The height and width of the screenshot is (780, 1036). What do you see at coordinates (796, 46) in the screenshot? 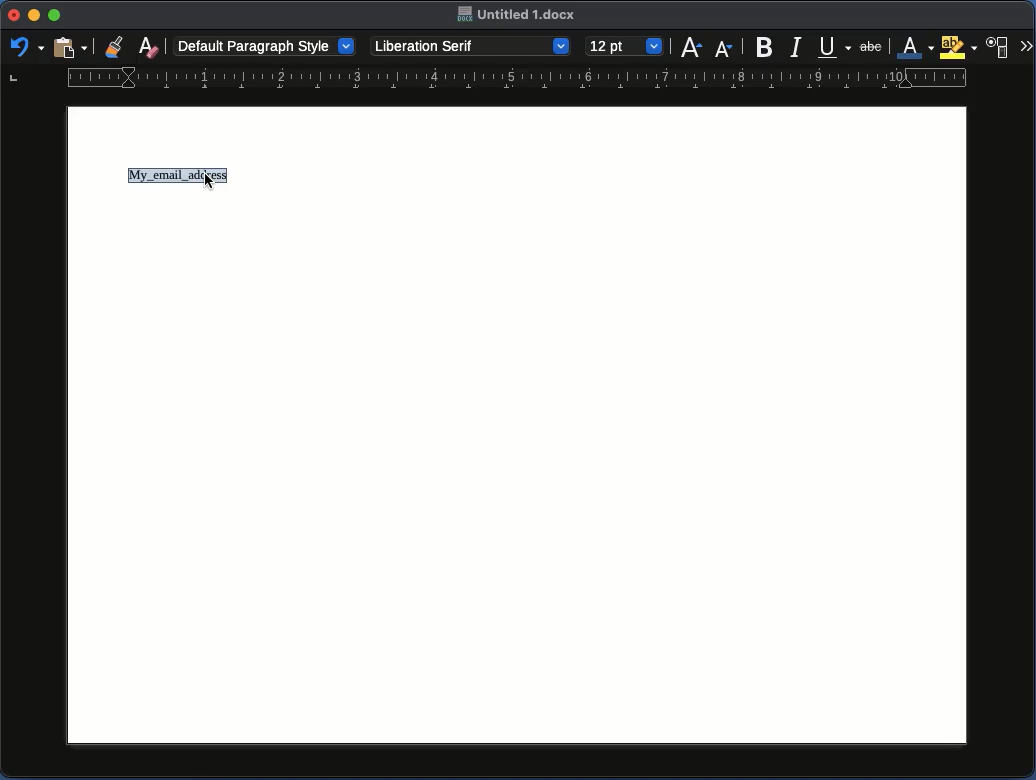
I see `Italics` at bounding box center [796, 46].